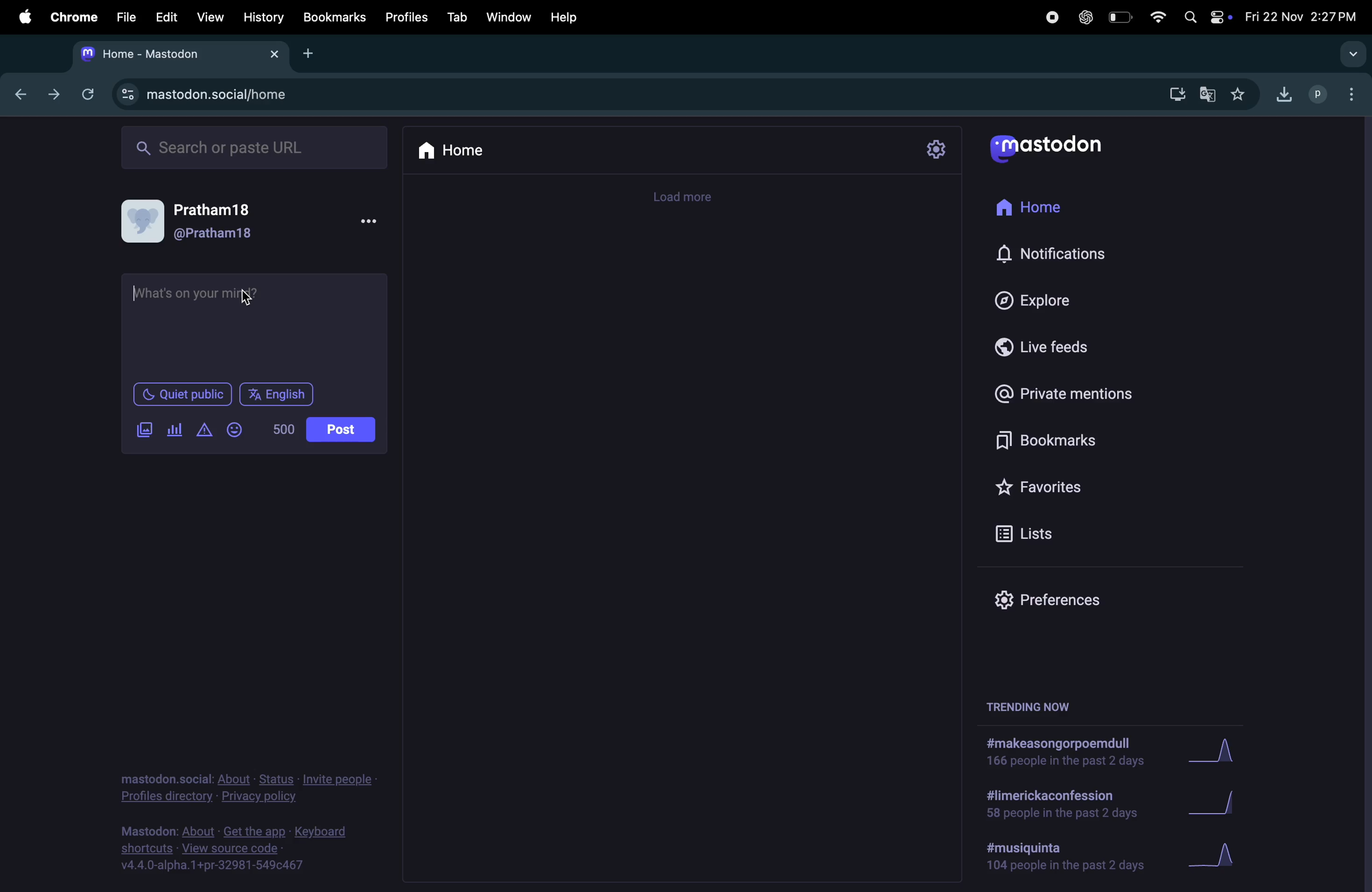 This screenshot has width=1372, height=892. I want to click on add, so click(315, 54).